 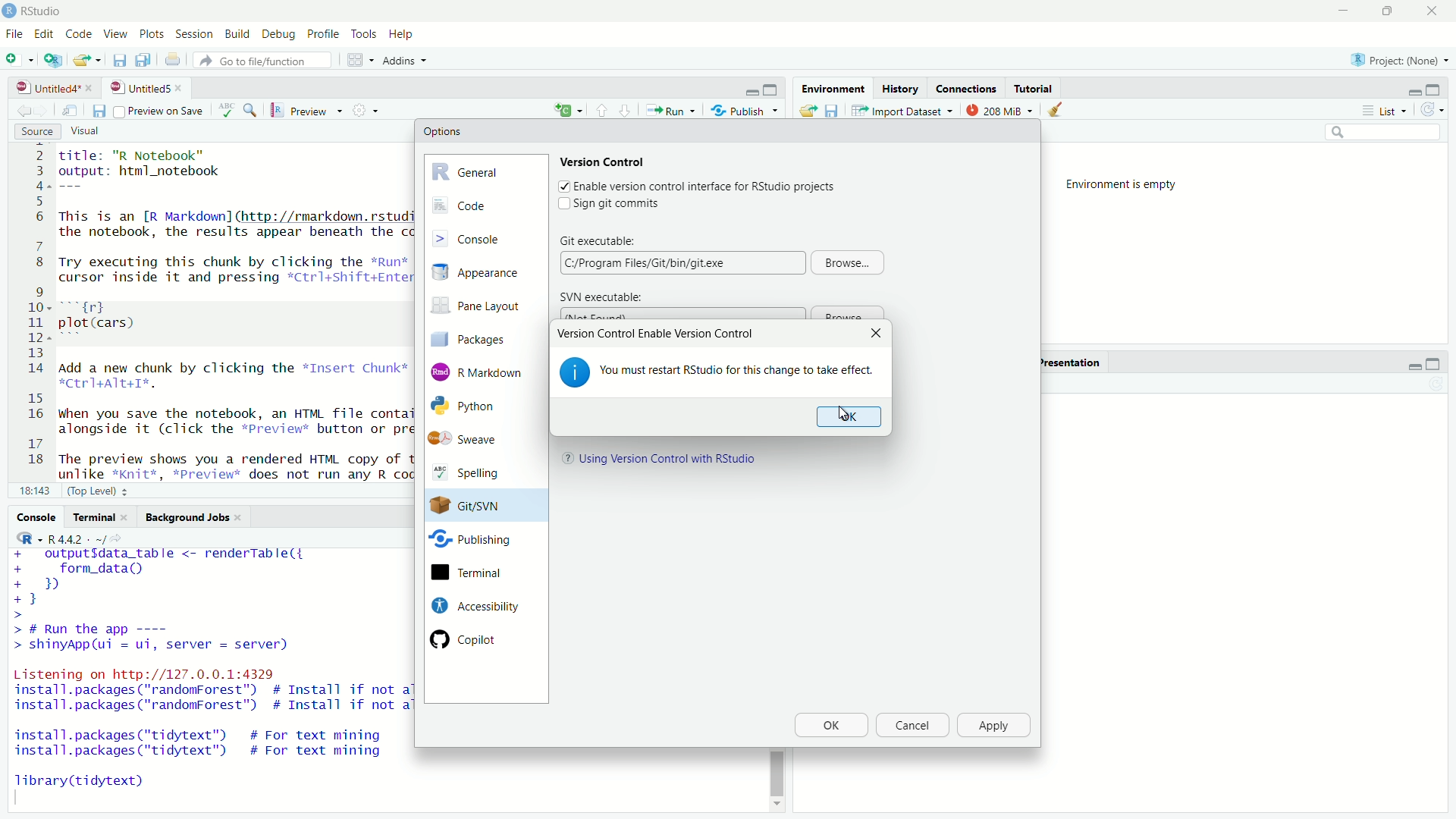 I want to click on Profile, so click(x=322, y=35).